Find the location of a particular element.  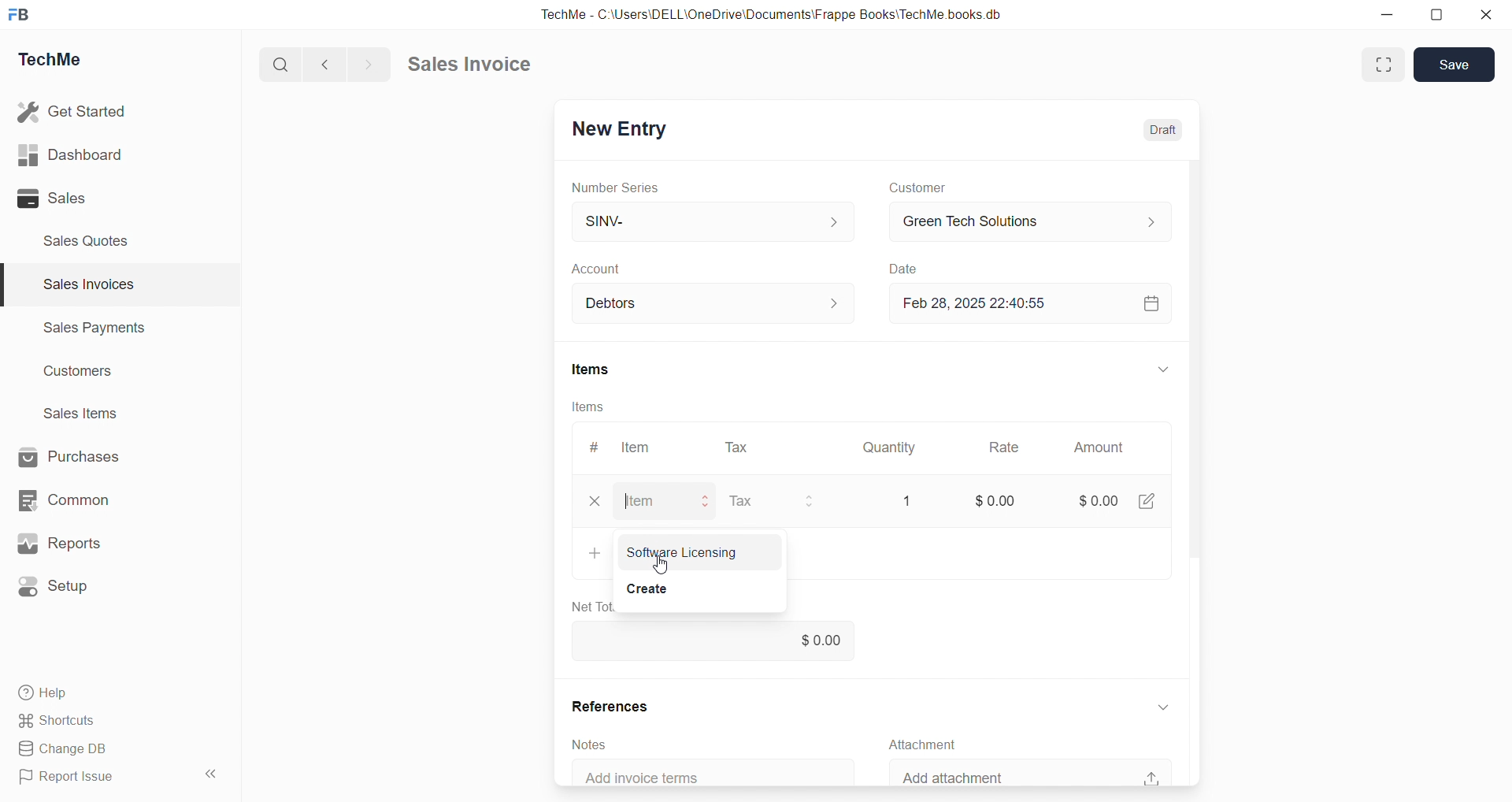

Item is located at coordinates (639, 502).